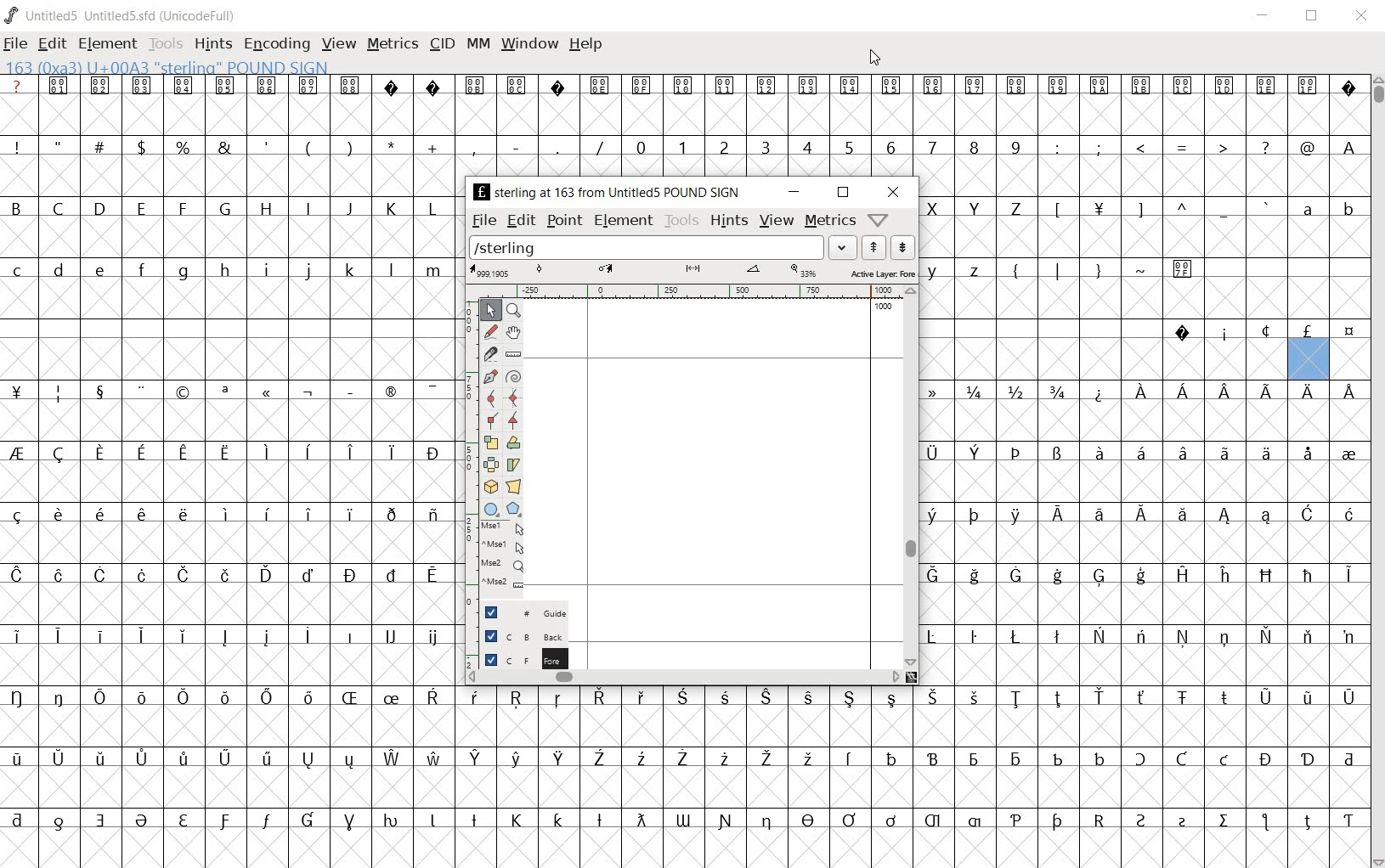 The width and height of the screenshot is (1385, 868). I want to click on file, so click(18, 43).